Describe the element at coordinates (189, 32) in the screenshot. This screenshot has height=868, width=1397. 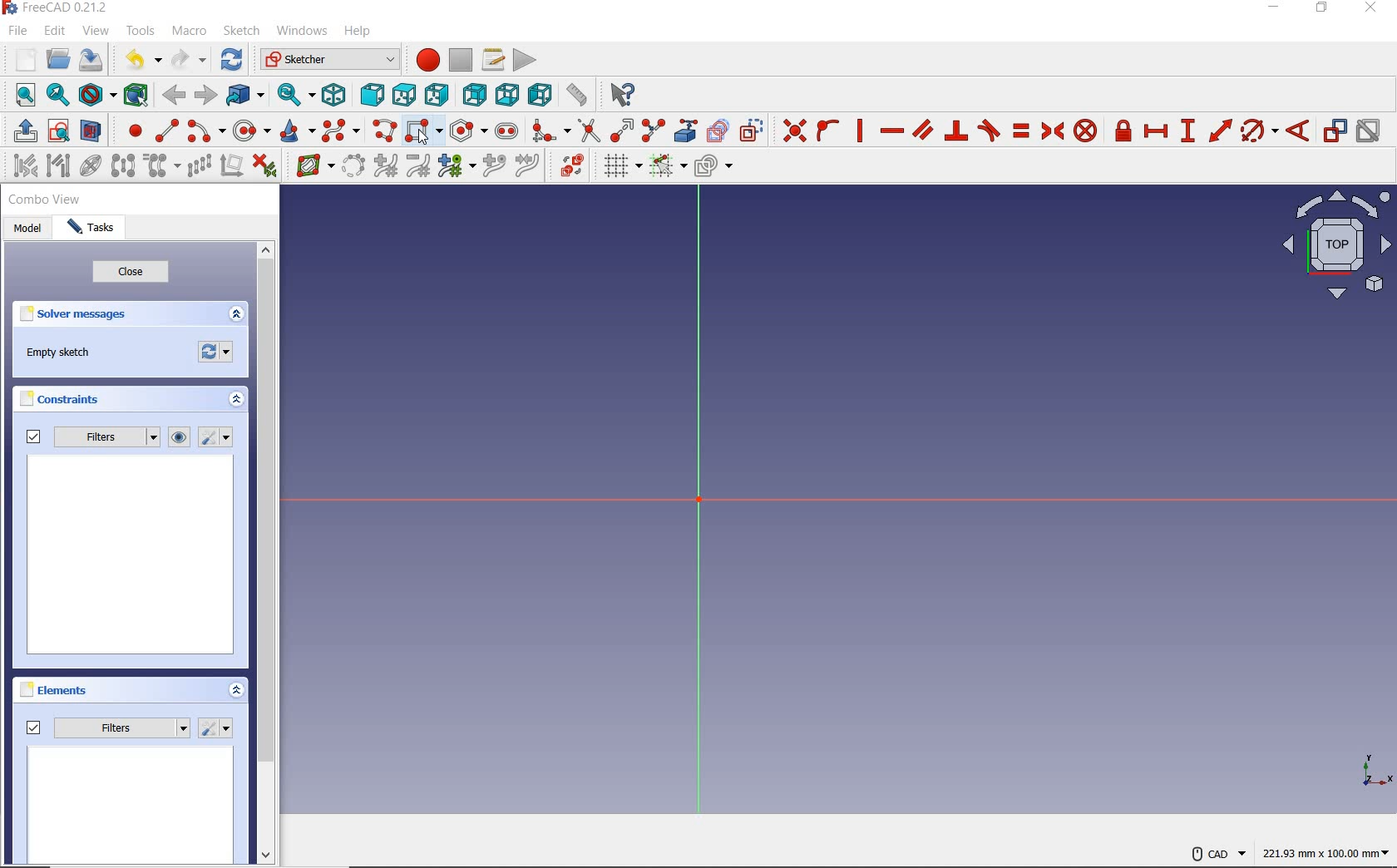
I see `macro` at that location.